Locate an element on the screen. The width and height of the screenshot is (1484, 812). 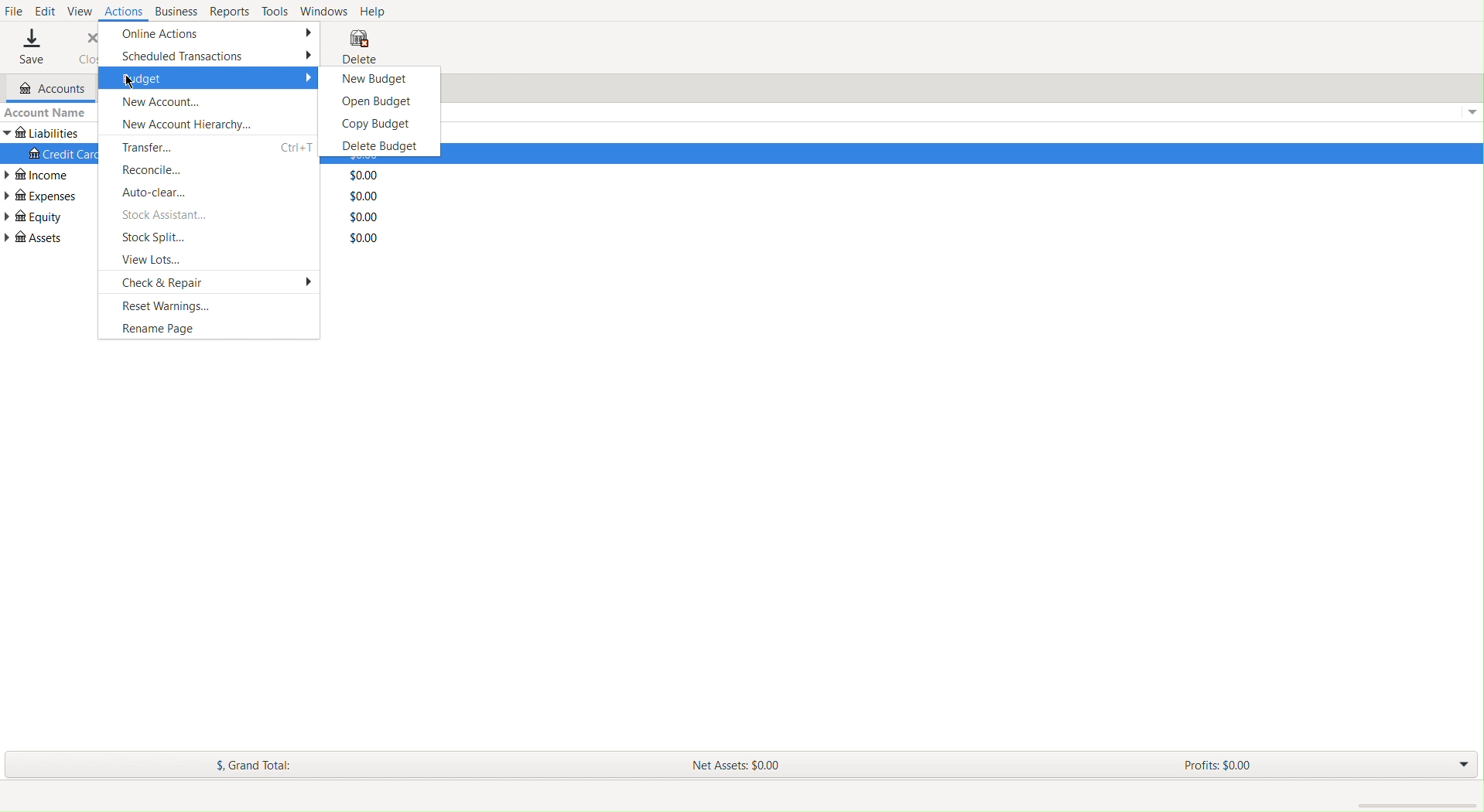
Reports is located at coordinates (227, 11).